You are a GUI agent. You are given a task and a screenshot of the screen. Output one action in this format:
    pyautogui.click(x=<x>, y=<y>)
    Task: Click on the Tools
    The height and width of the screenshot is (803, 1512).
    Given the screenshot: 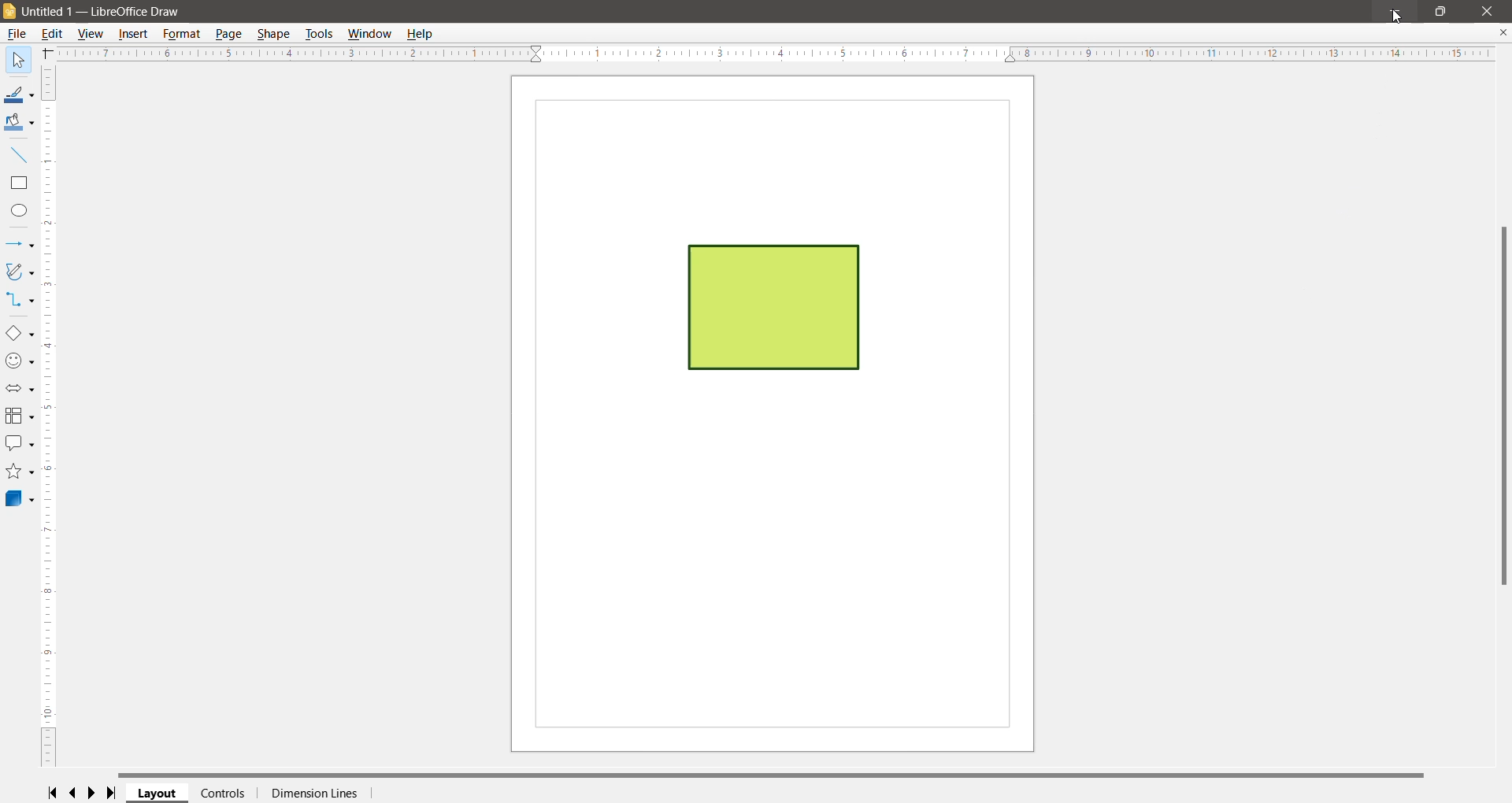 What is the action you would take?
    pyautogui.click(x=318, y=34)
    